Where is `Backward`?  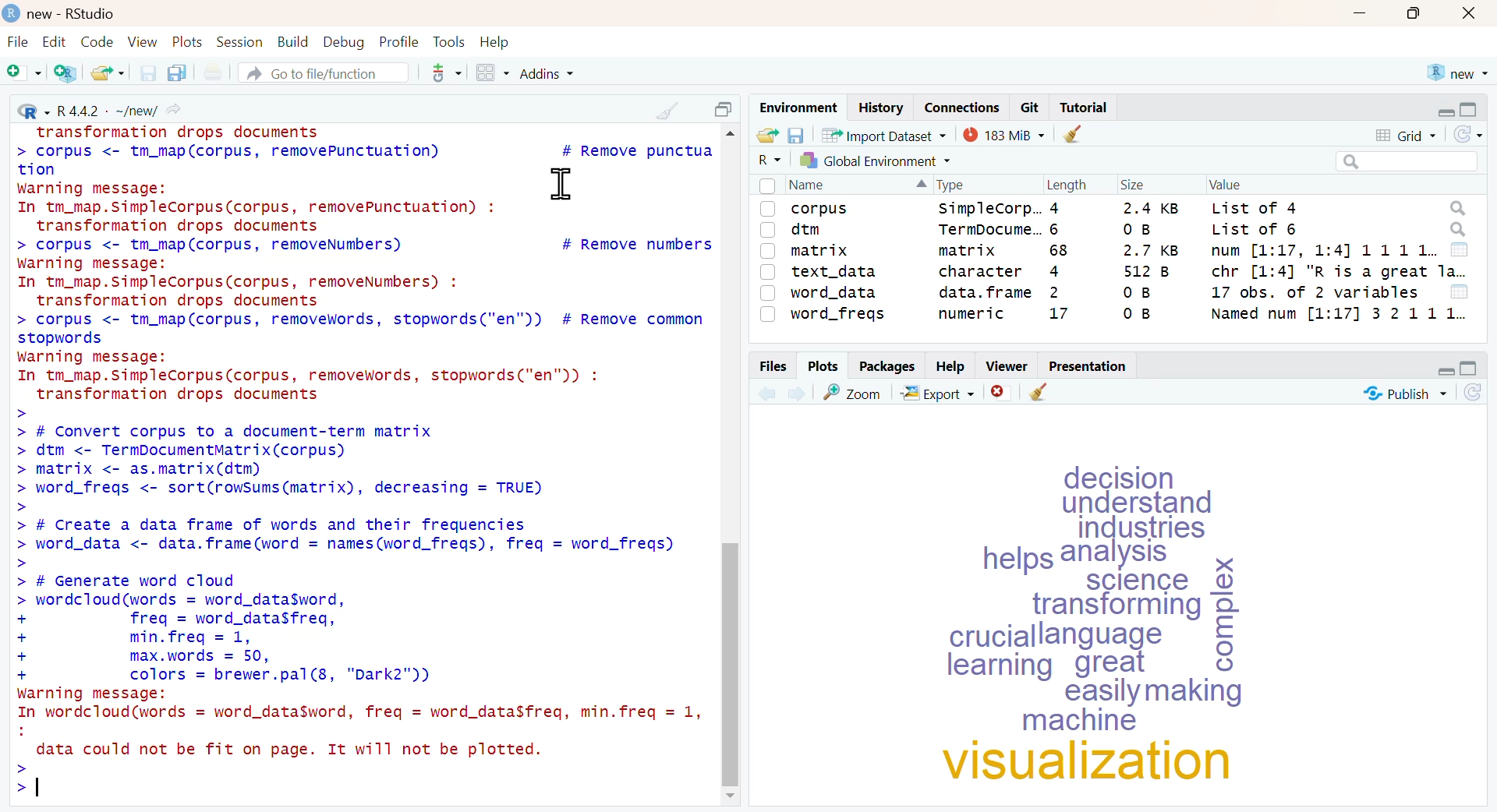
Backward is located at coordinates (766, 393).